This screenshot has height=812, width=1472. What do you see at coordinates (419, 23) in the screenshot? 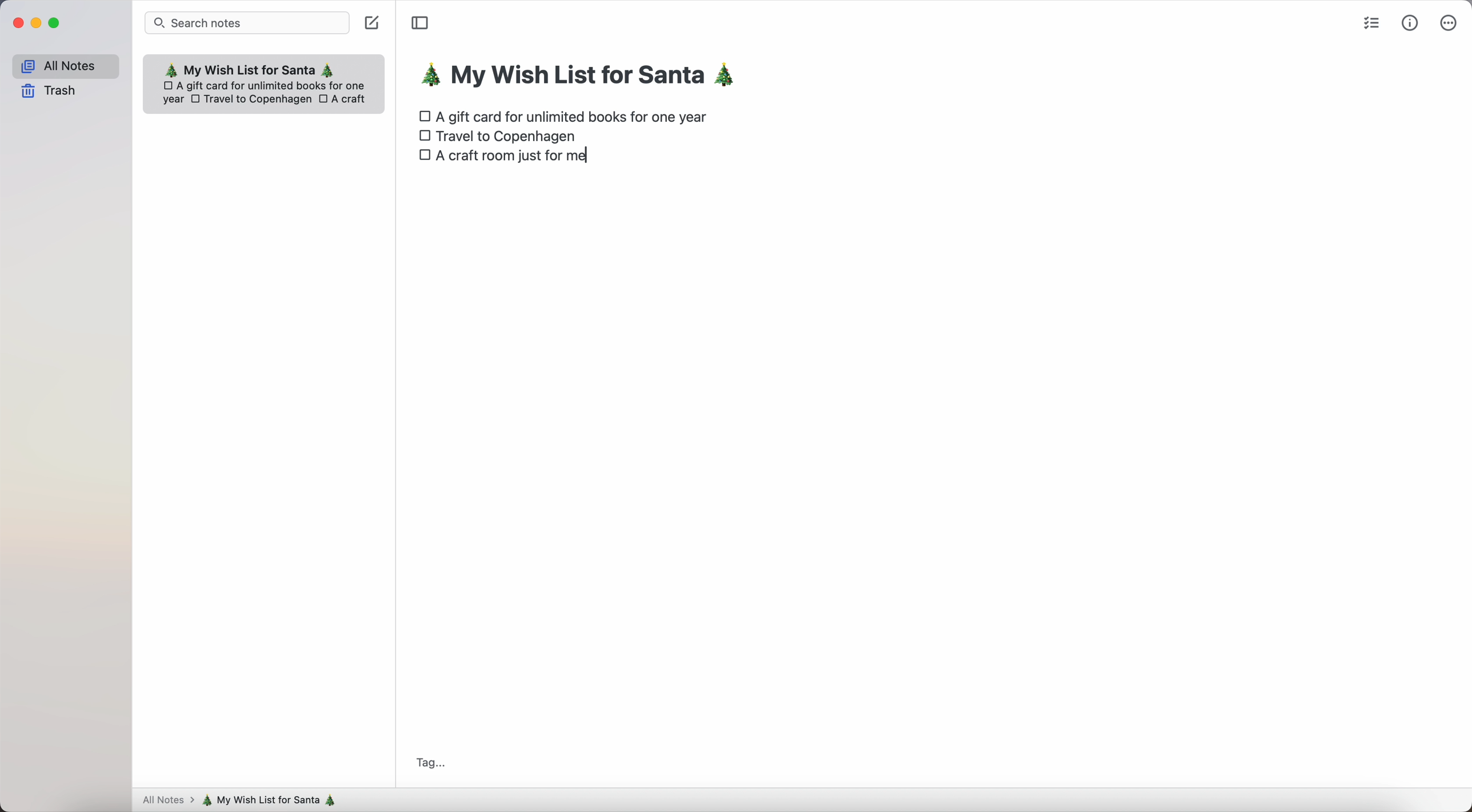
I see `toggle sidebar` at bounding box center [419, 23].